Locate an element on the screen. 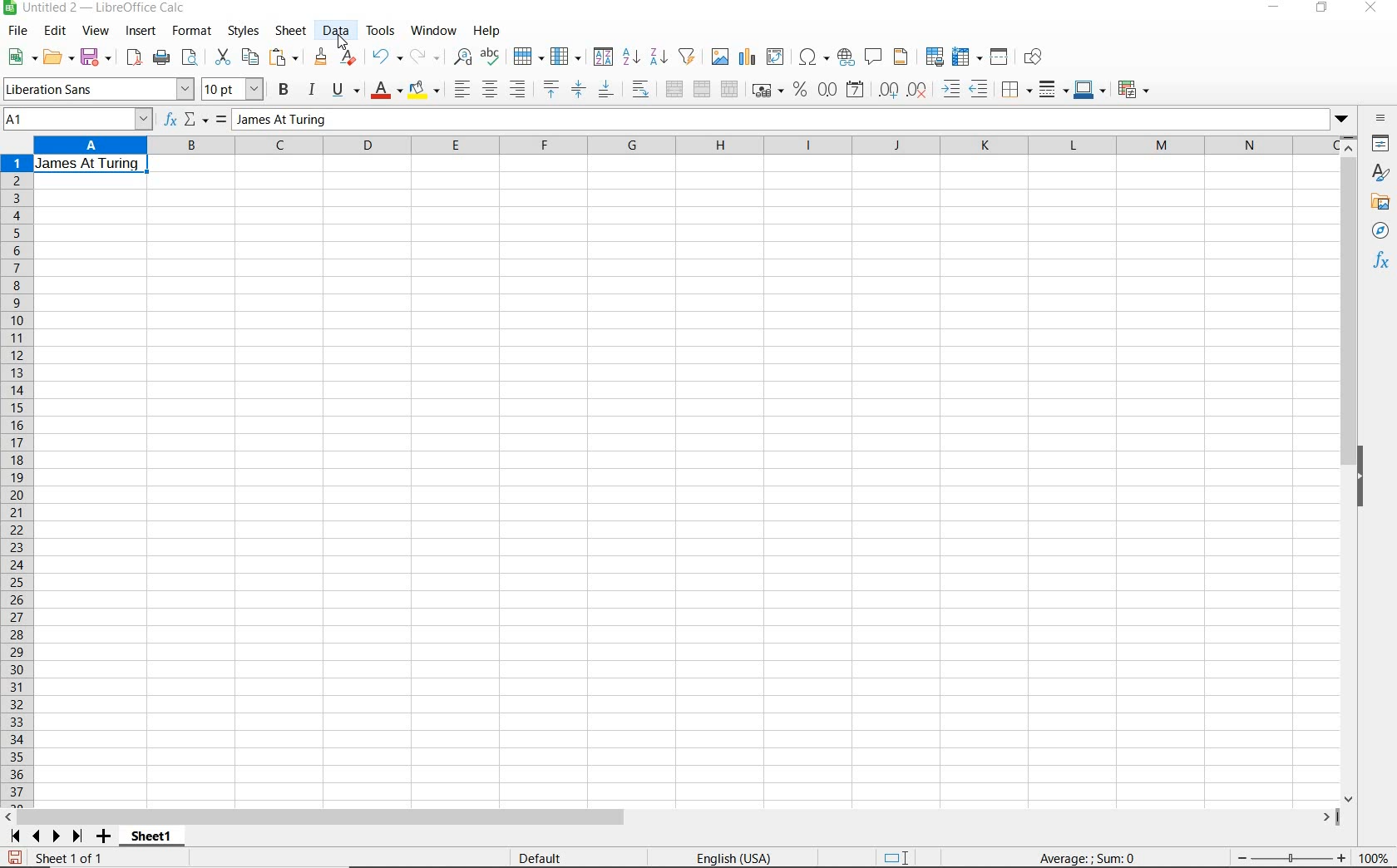  align right is located at coordinates (518, 91).